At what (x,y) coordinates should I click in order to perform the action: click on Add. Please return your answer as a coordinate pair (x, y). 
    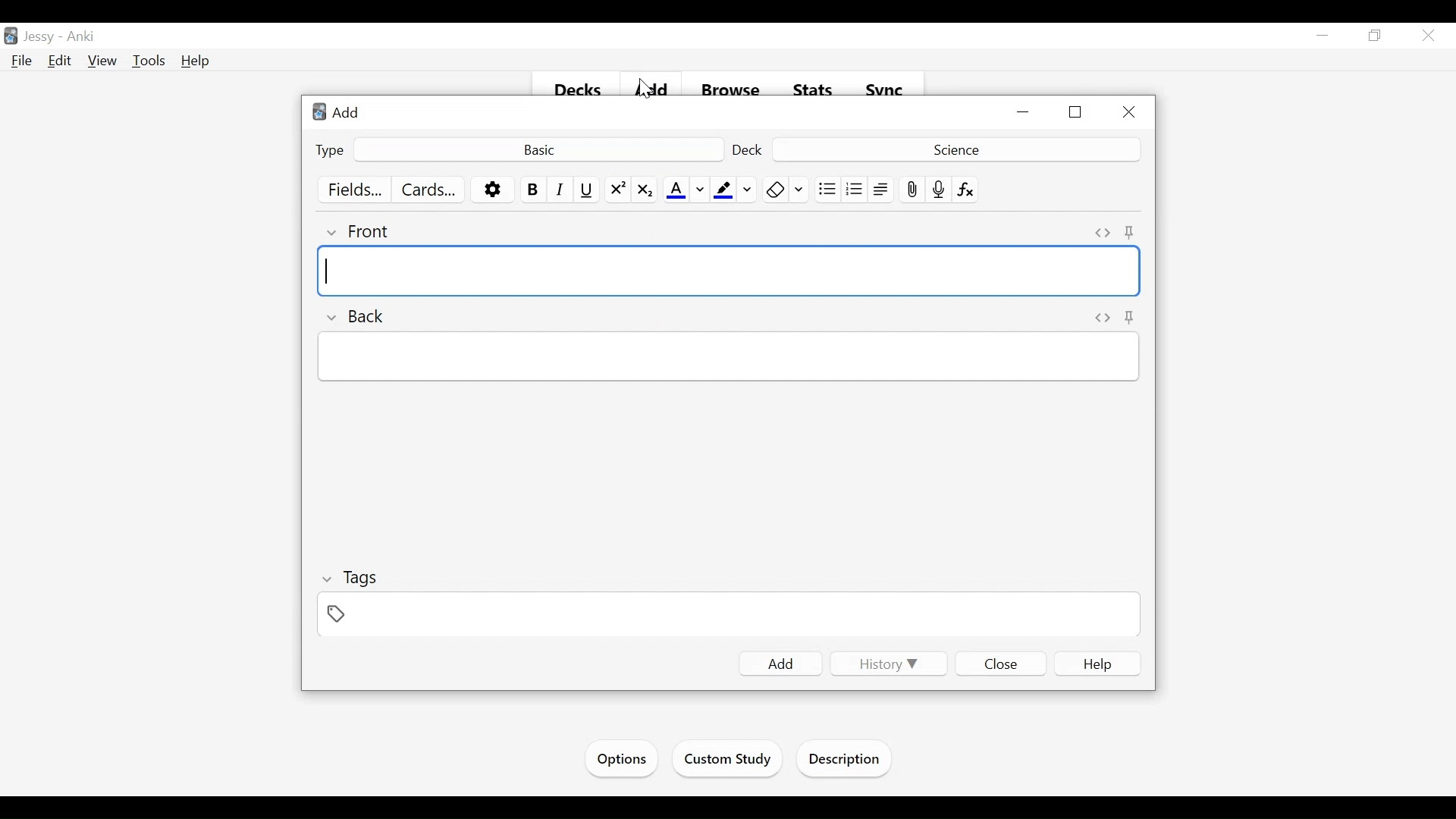
    Looking at the image, I should click on (781, 664).